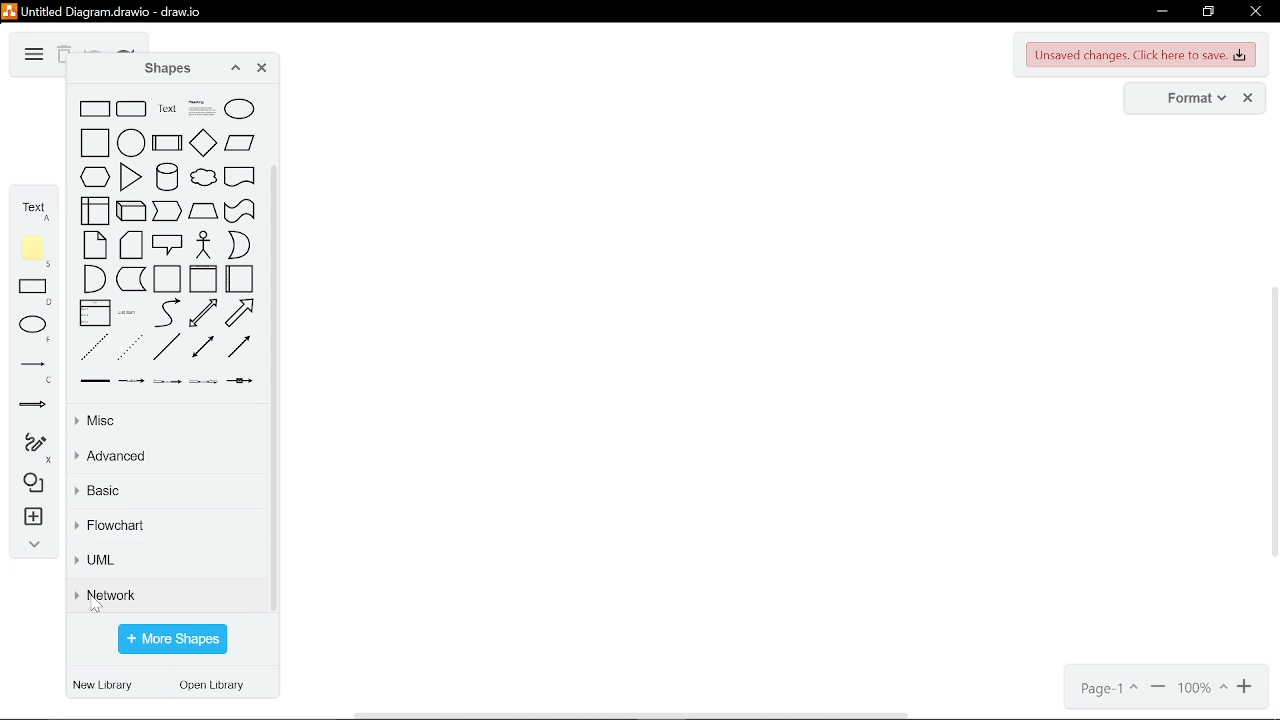  I want to click on cloud, so click(203, 177).